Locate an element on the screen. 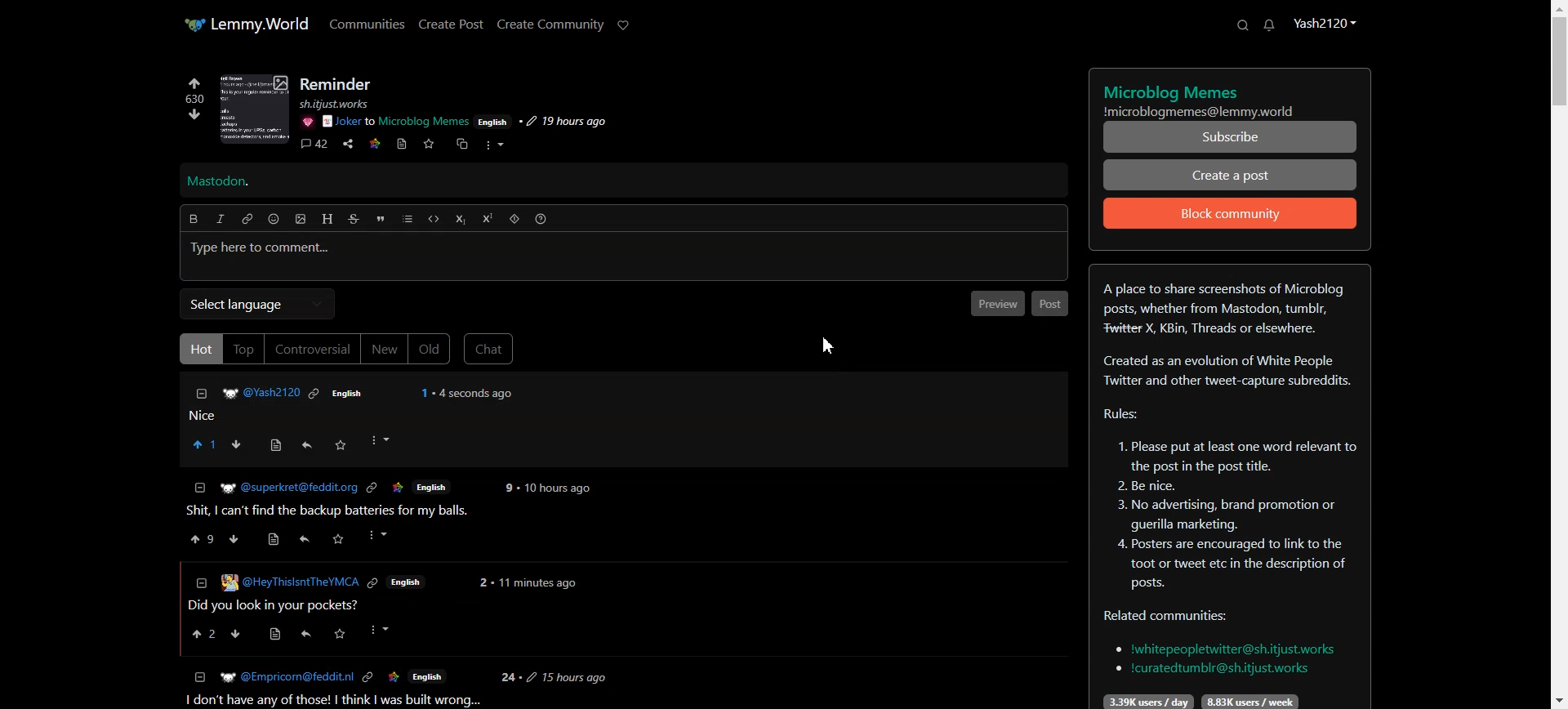   is located at coordinates (344, 104).